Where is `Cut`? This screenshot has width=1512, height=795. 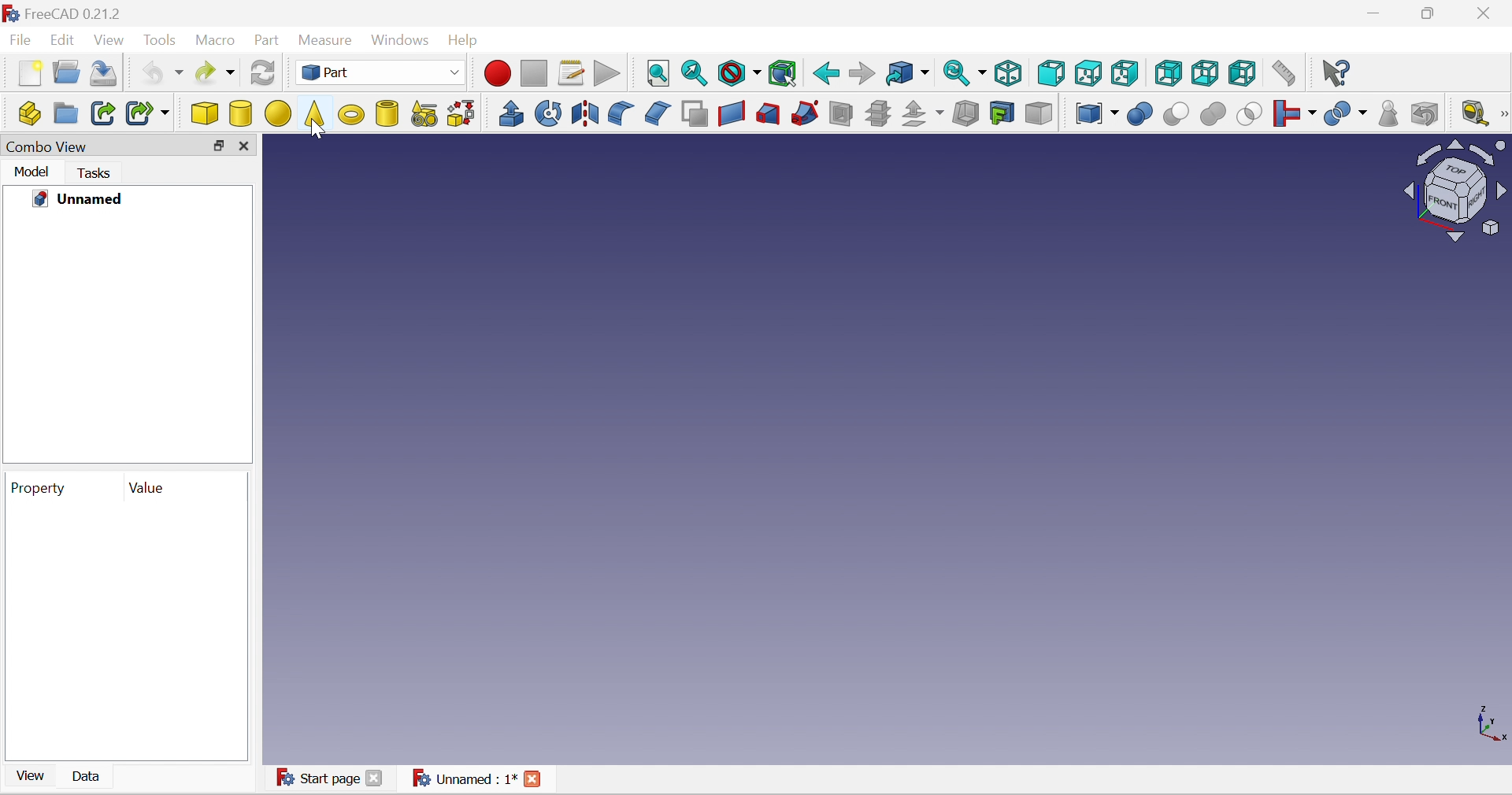 Cut is located at coordinates (1176, 115).